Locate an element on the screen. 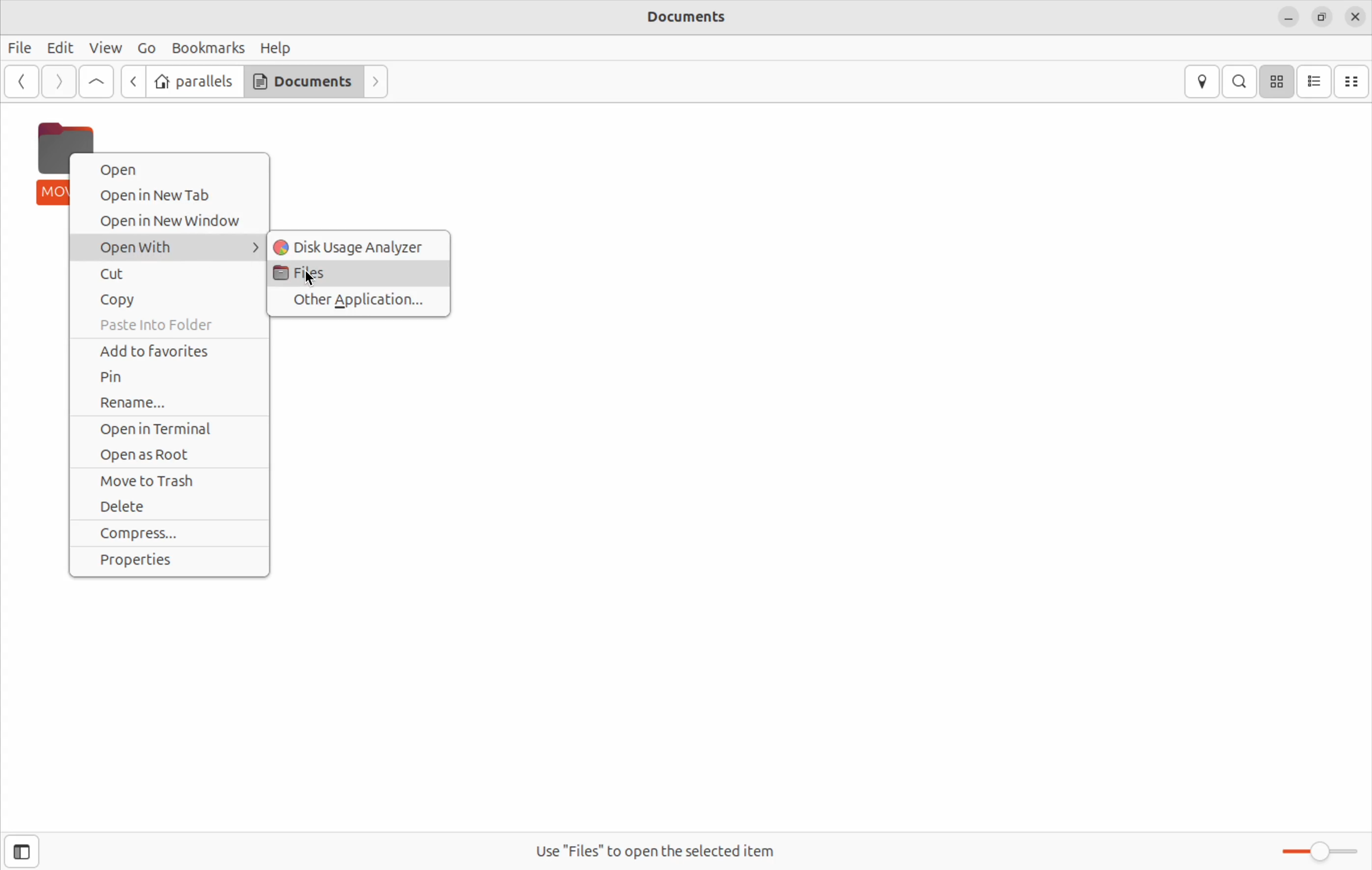 This screenshot has width=1372, height=870. Open in Terminal is located at coordinates (169, 431).